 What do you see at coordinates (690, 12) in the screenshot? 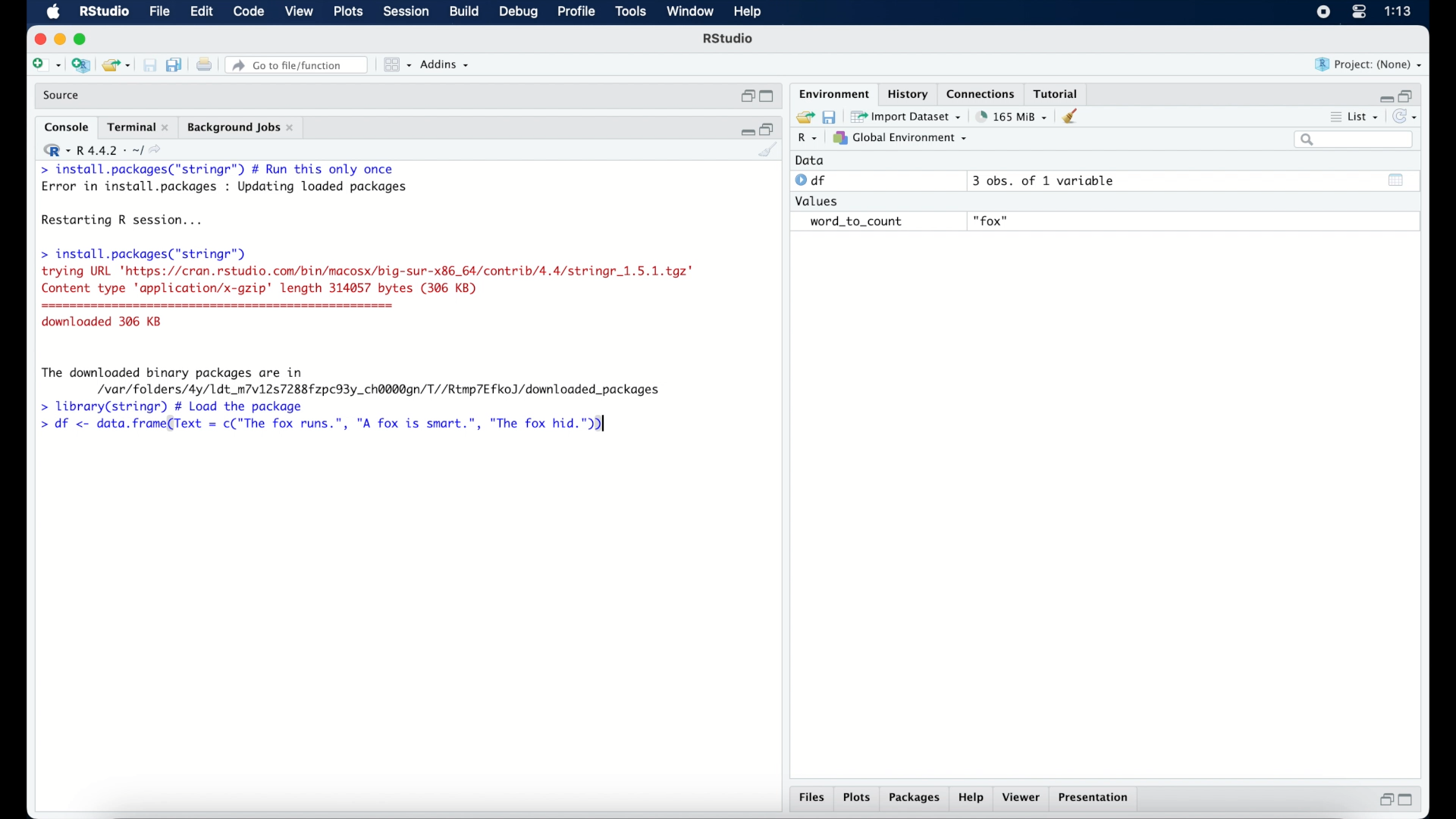
I see `window` at bounding box center [690, 12].